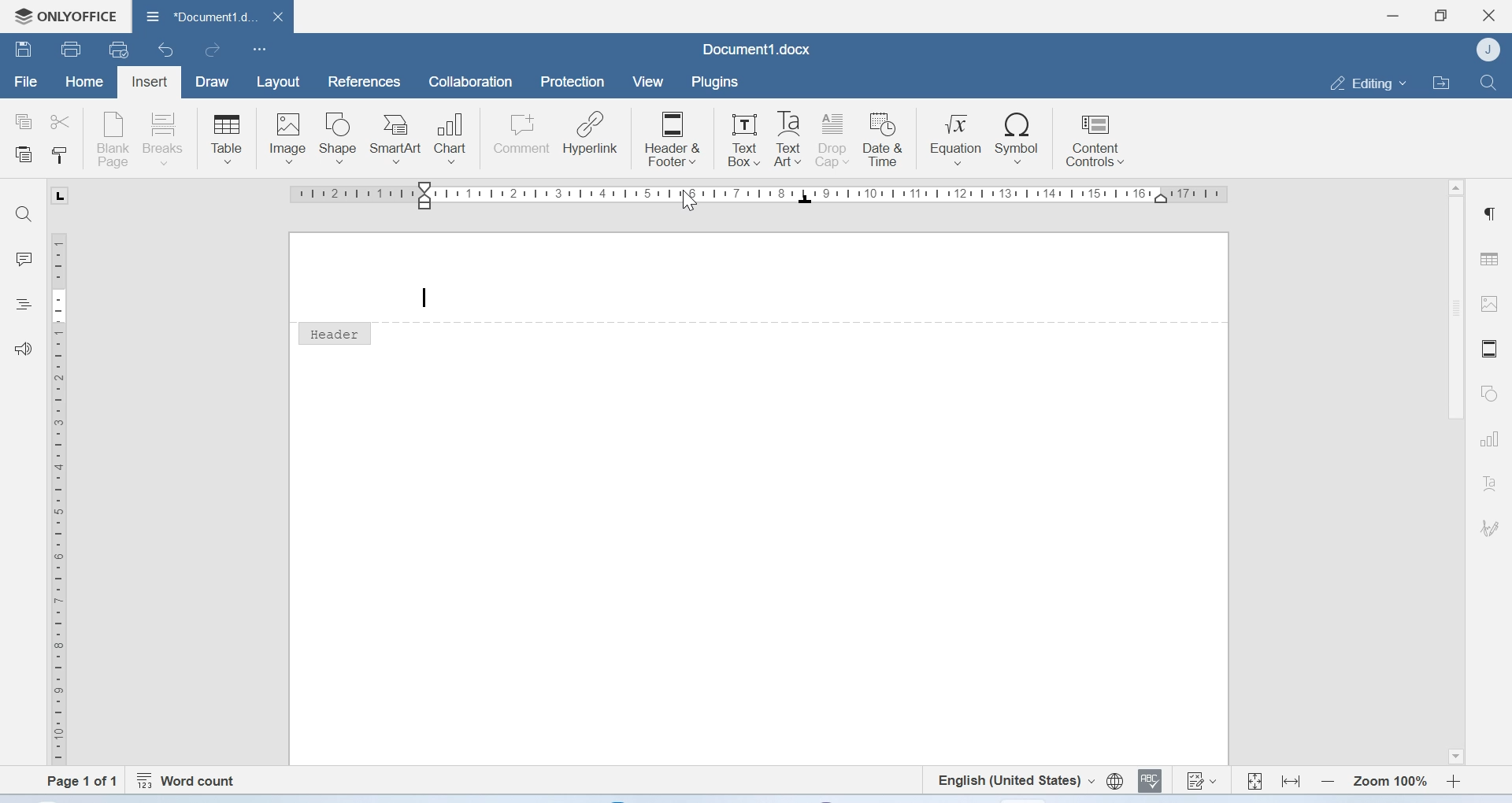 This screenshot has width=1512, height=803. I want to click on SmartArt, so click(399, 135).